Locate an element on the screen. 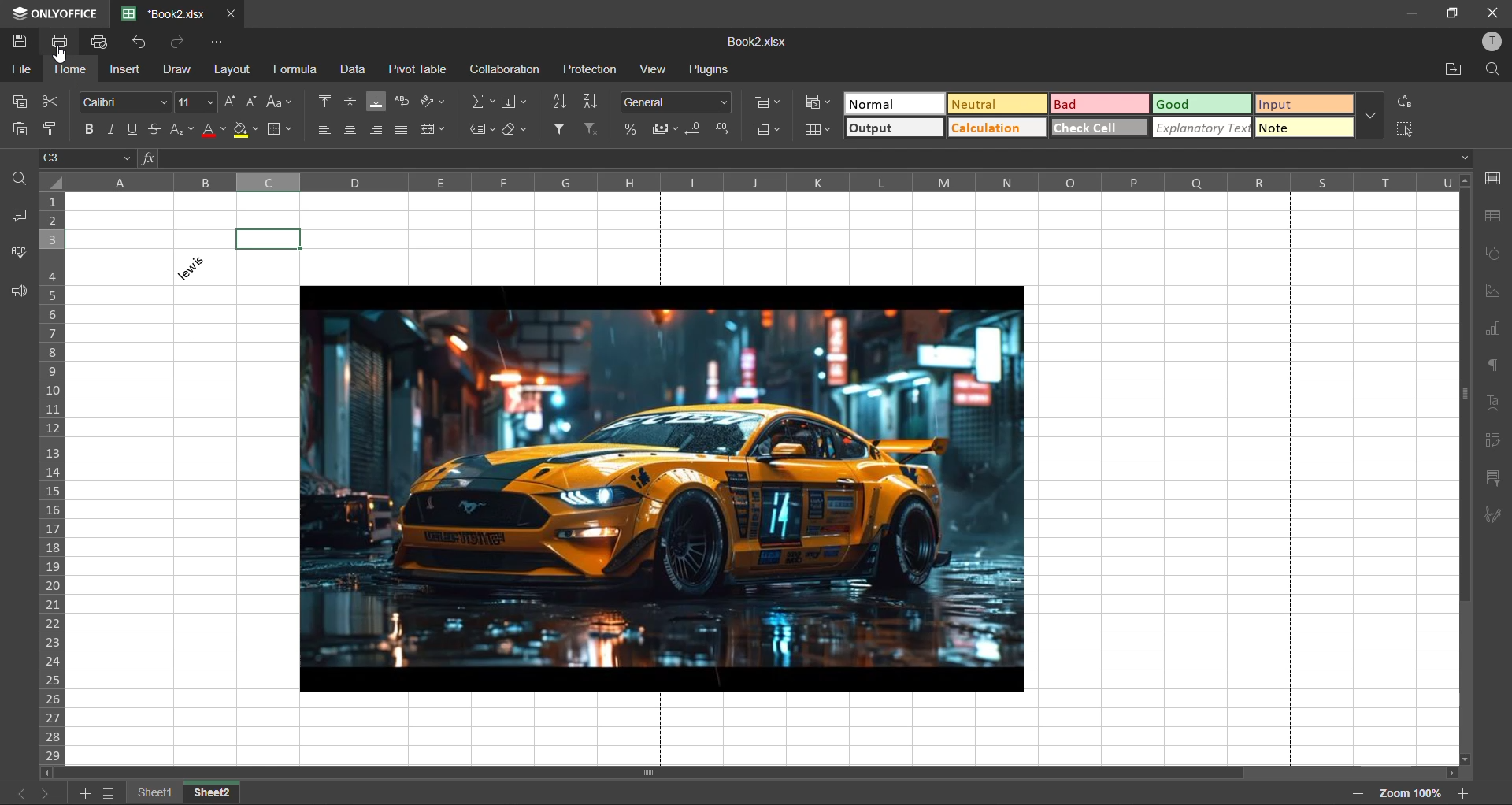 Image resolution: width=1512 pixels, height=805 pixels. accounting is located at coordinates (665, 130).